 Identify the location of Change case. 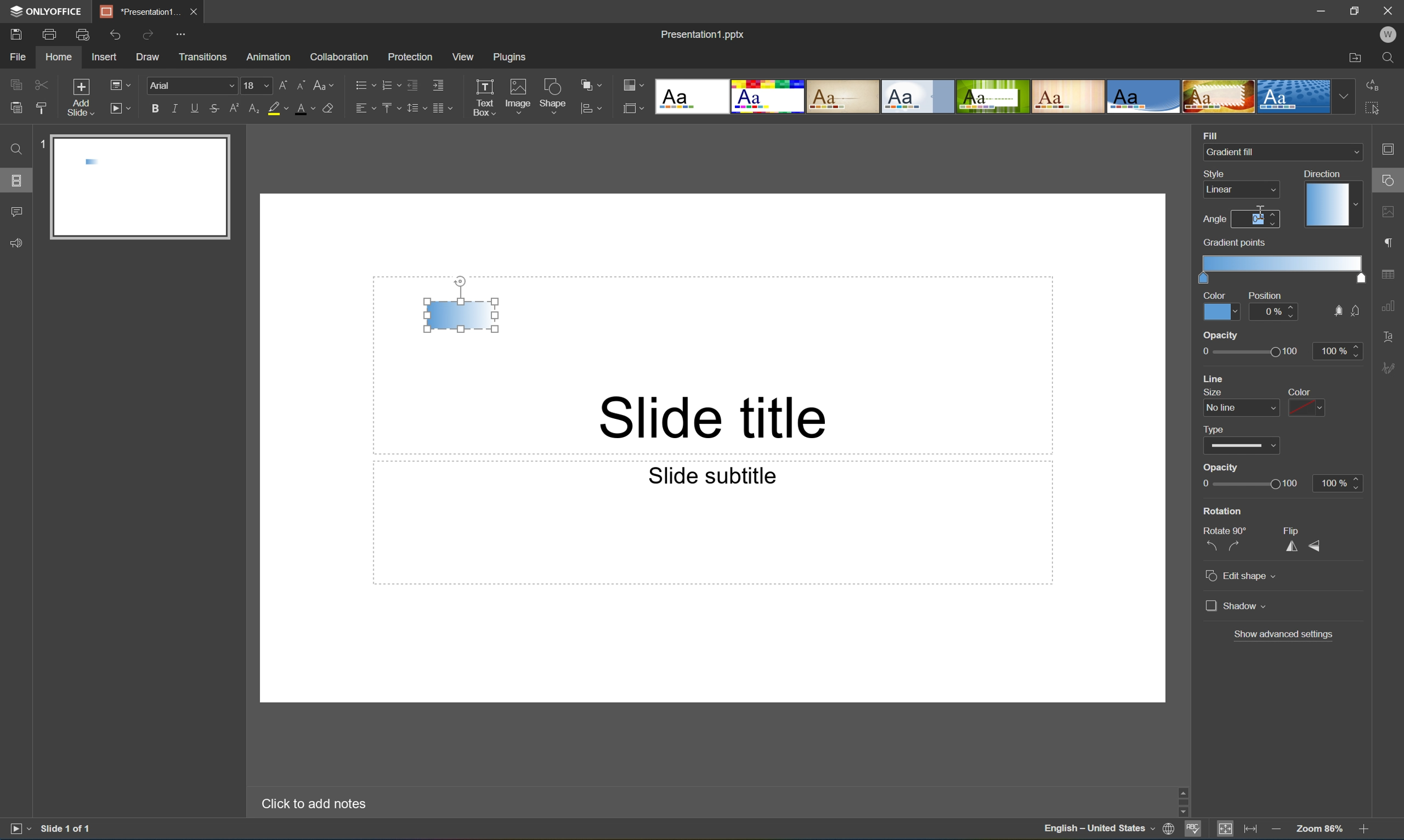
(324, 82).